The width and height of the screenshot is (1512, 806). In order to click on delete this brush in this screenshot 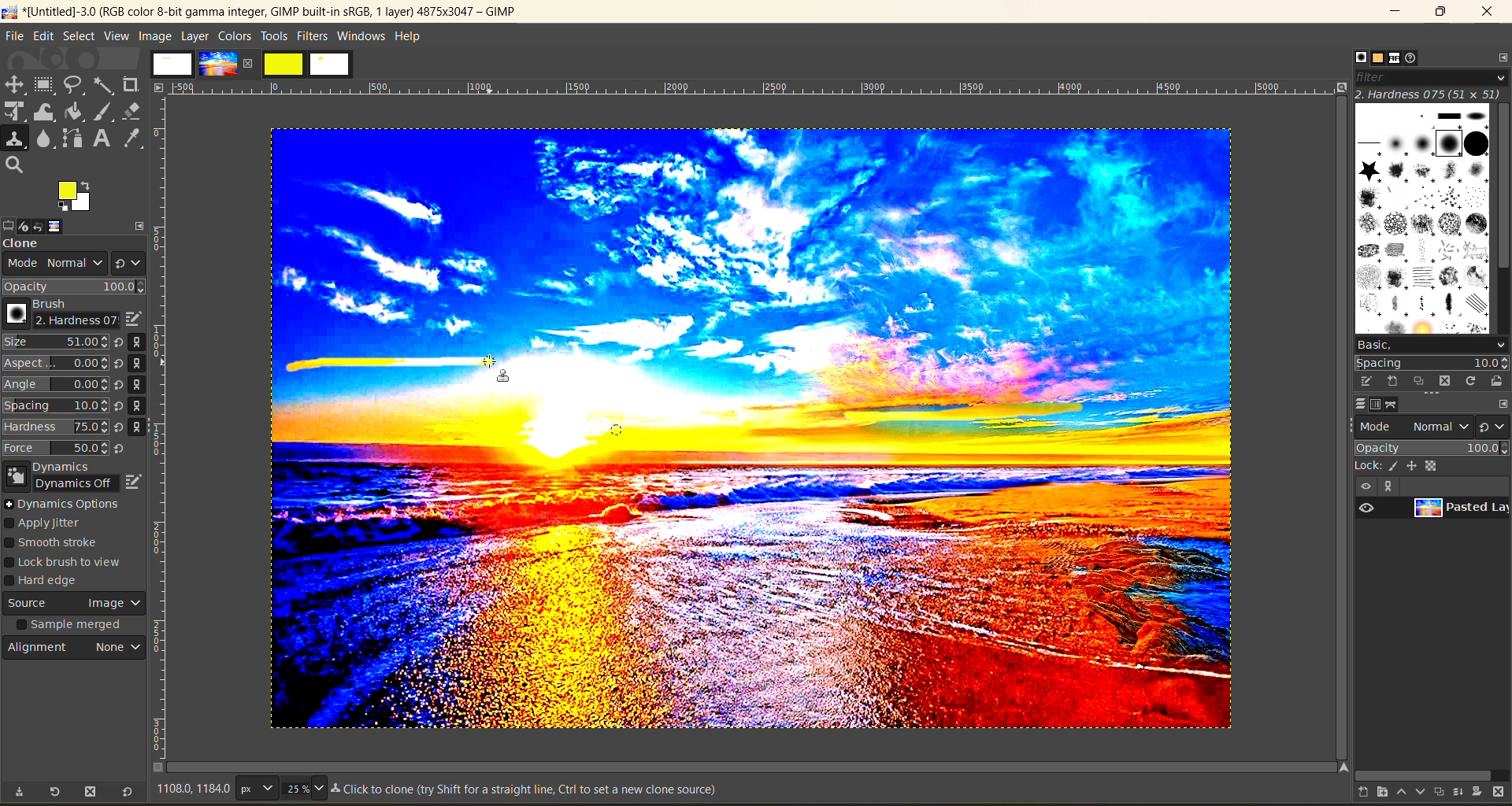, I will do `click(1445, 380)`.